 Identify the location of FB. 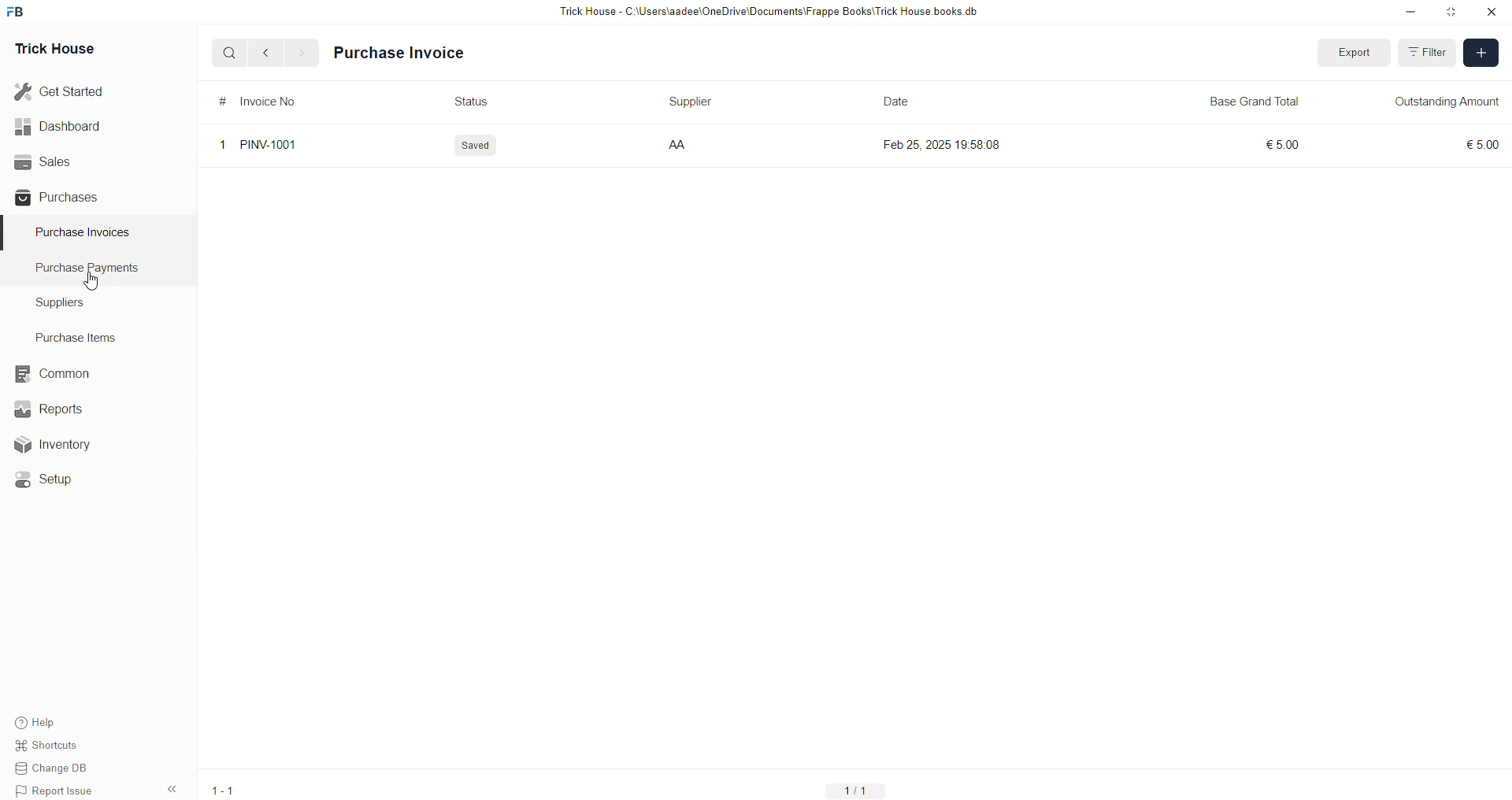
(18, 10).